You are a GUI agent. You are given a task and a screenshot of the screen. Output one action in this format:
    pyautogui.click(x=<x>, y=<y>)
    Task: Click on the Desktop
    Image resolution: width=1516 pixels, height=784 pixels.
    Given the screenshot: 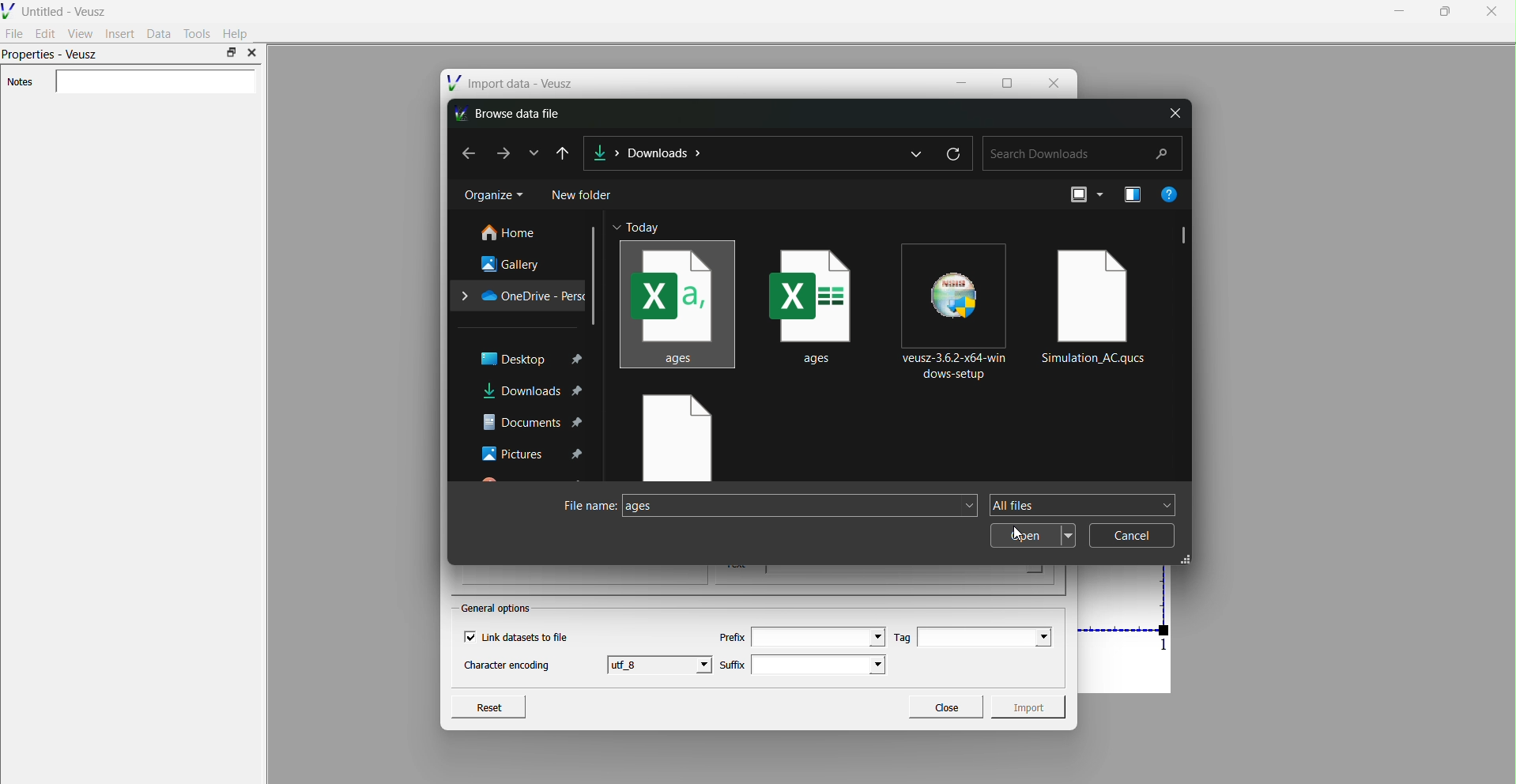 What is the action you would take?
    pyautogui.click(x=531, y=358)
    